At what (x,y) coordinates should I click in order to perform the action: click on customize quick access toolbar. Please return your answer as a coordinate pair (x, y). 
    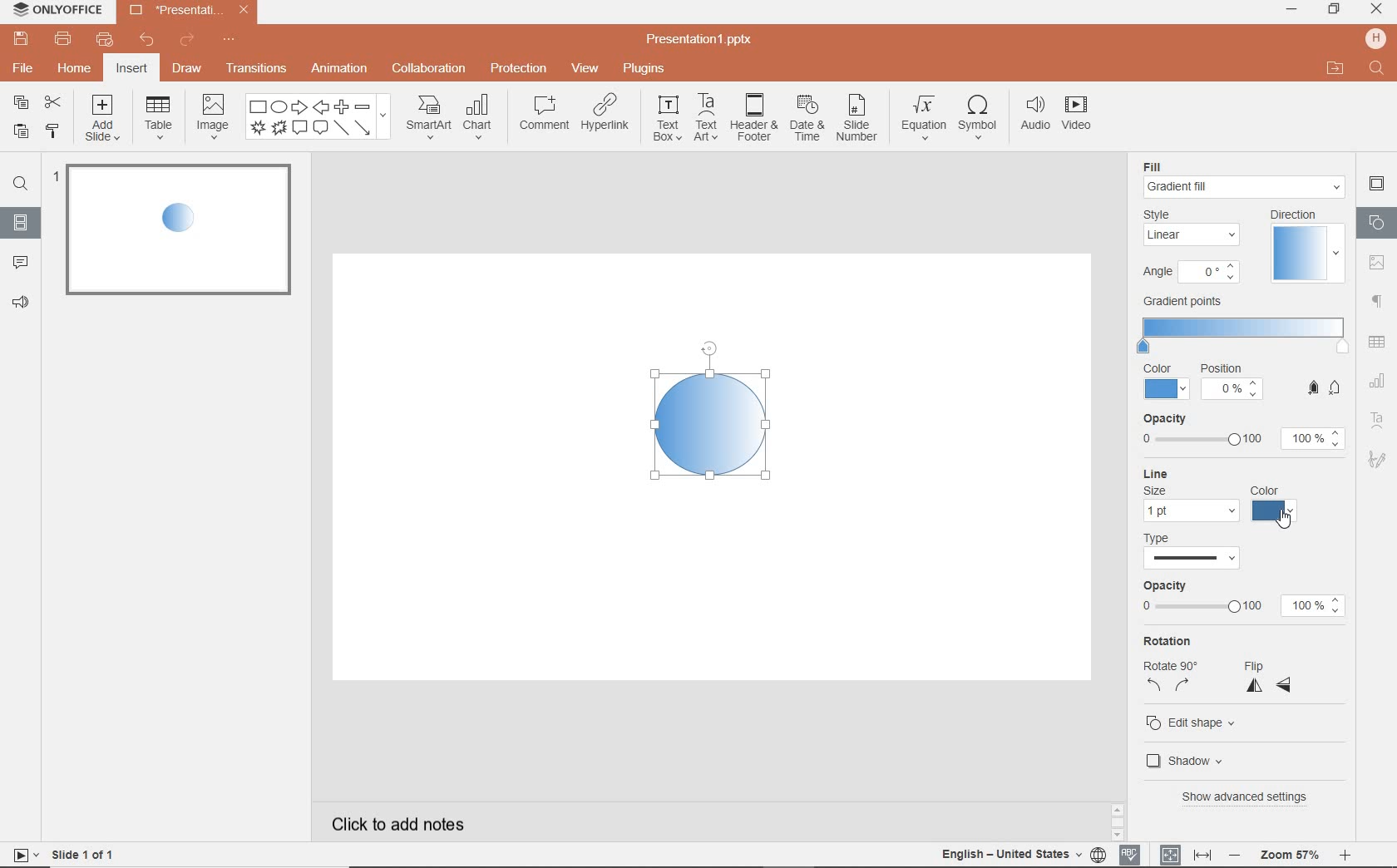
    Looking at the image, I should click on (230, 37).